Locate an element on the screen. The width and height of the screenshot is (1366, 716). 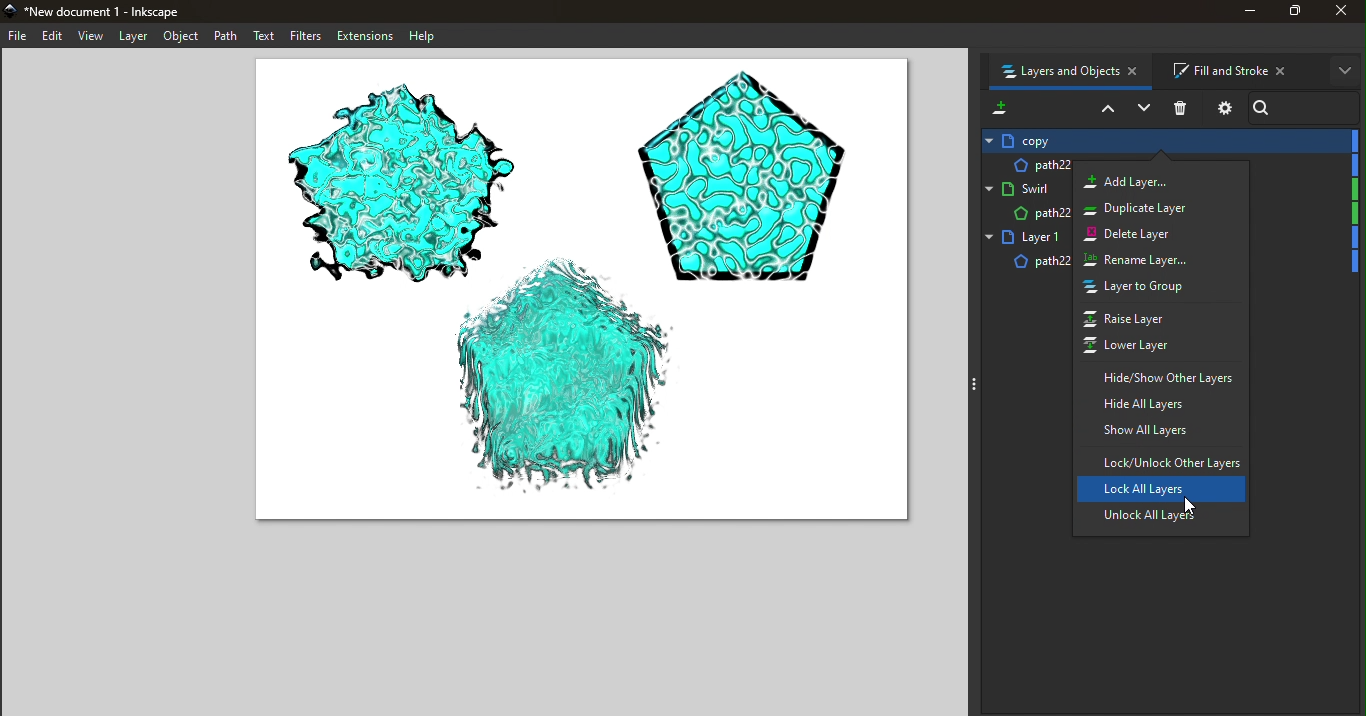
Layers and objects dialog setting is located at coordinates (1223, 111).